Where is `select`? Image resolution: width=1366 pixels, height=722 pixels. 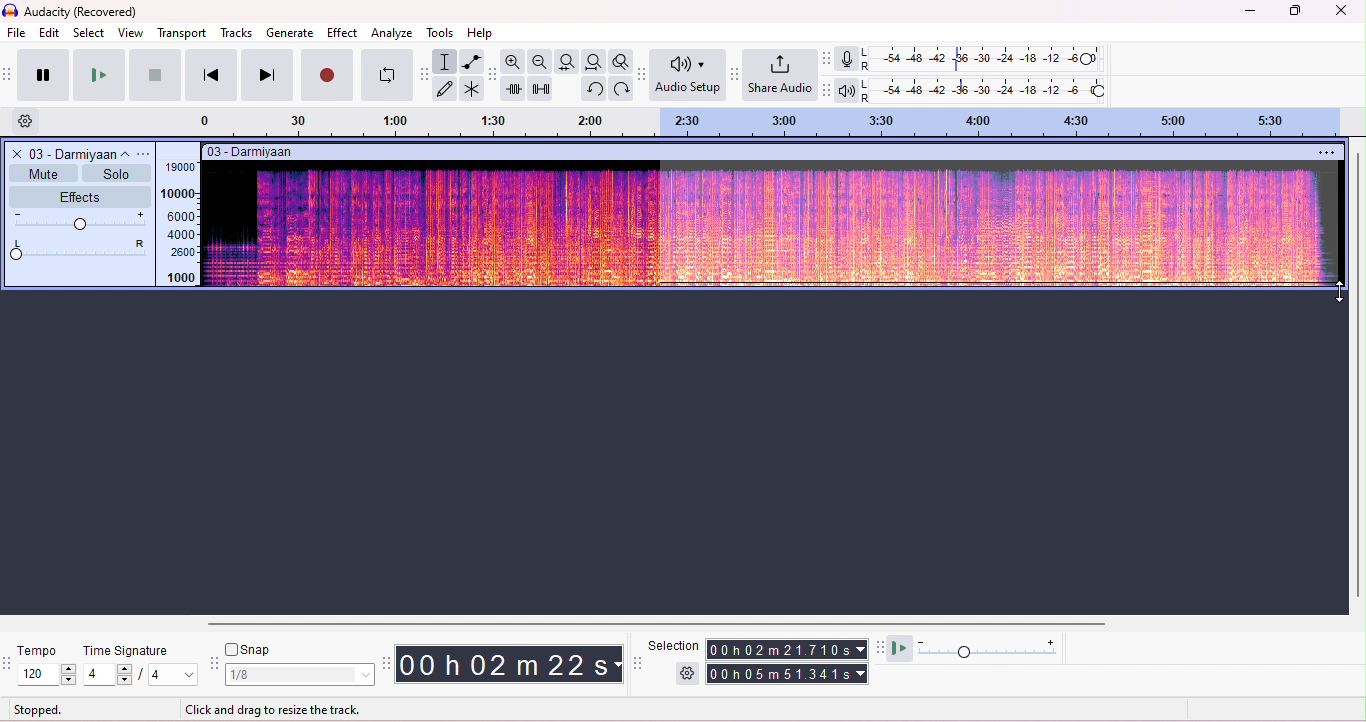 select is located at coordinates (90, 32).